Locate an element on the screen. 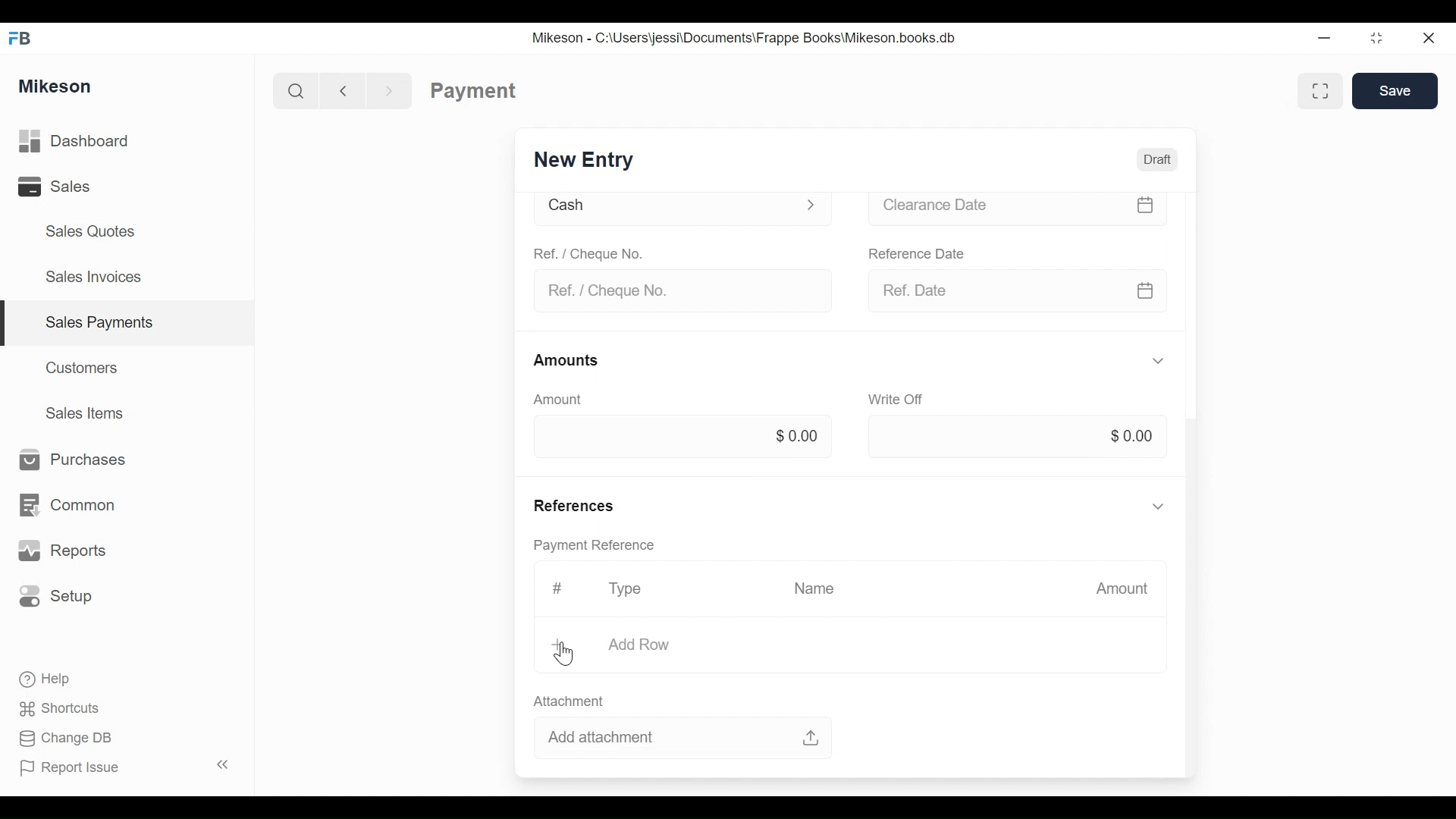 The width and height of the screenshot is (1456, 819). Forward is located at coordinates (394, 89).